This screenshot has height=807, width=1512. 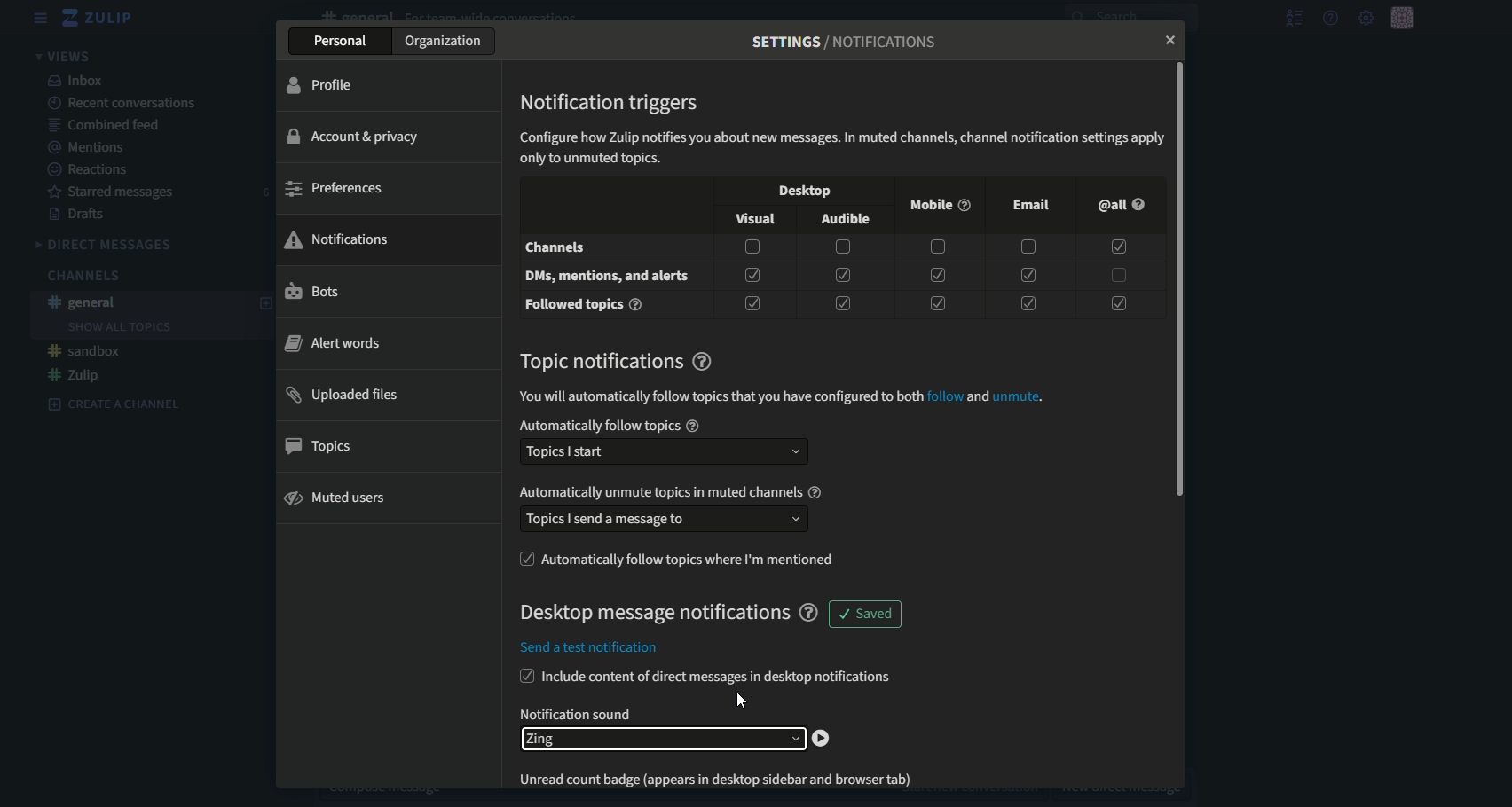 What do you see at coordinates (114, 193) in the screenshot?
I see `Starred messages` at bounding box center [114, 193].